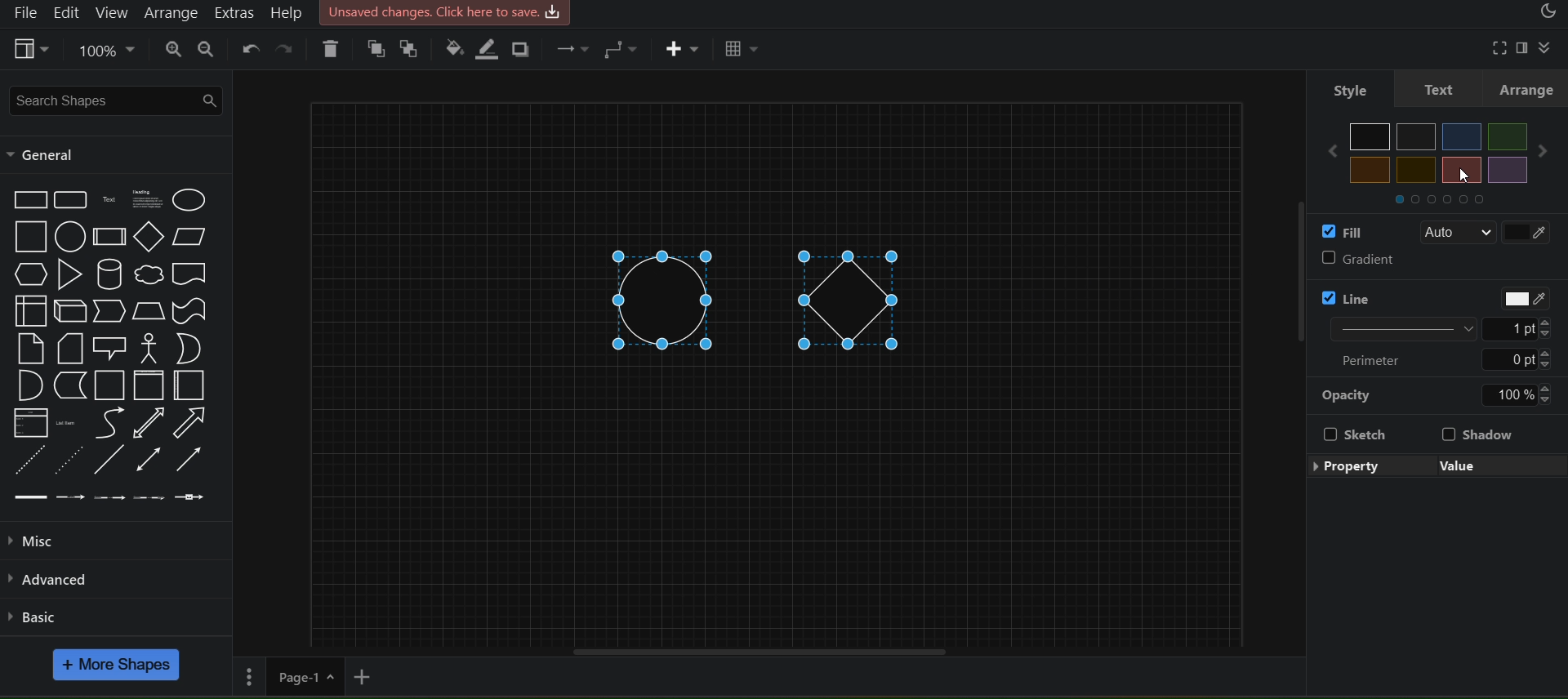  I want to click on style, so click(1346, 88).